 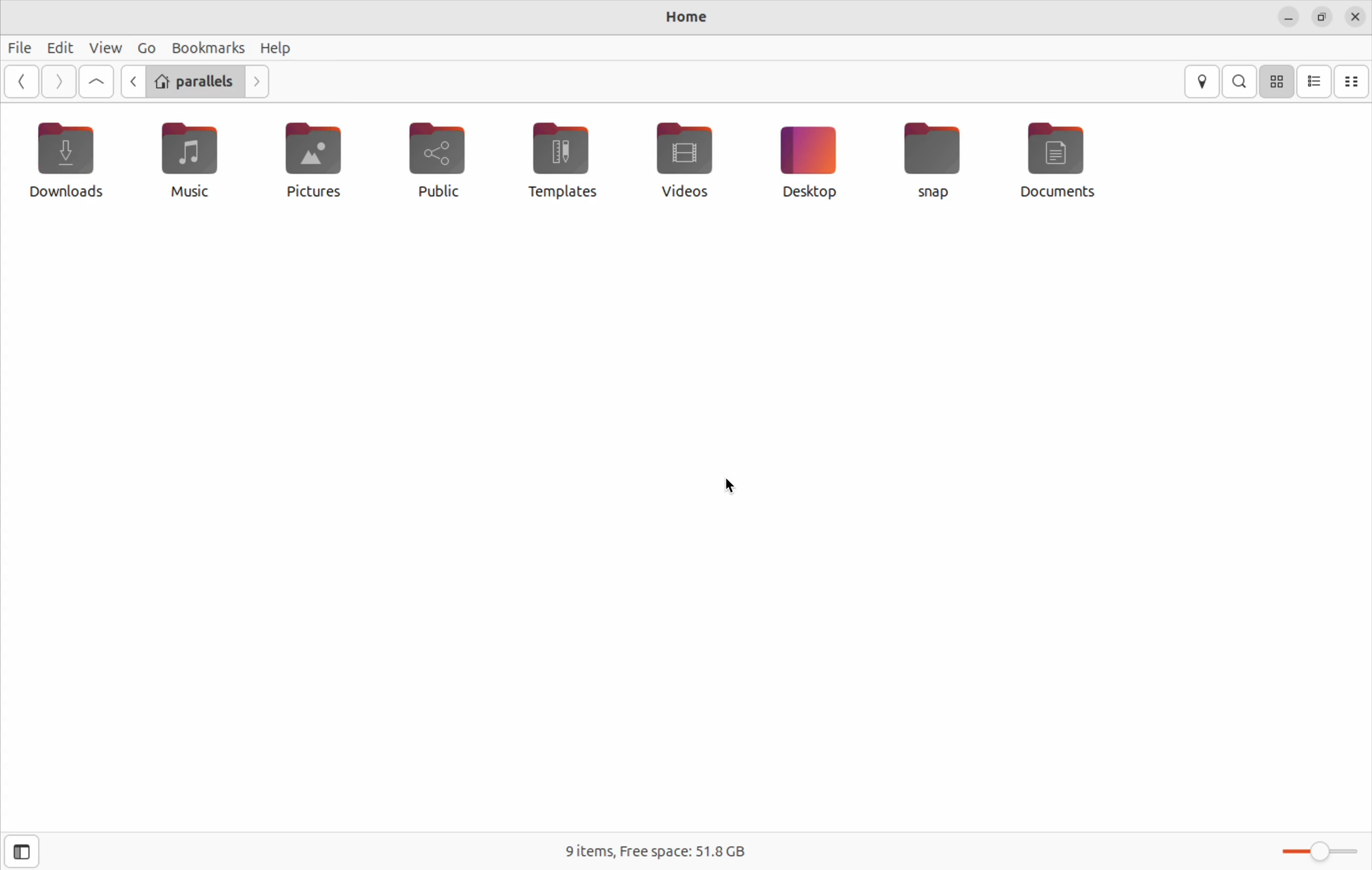 I want to click on resize, so click(x=1320, y=18).